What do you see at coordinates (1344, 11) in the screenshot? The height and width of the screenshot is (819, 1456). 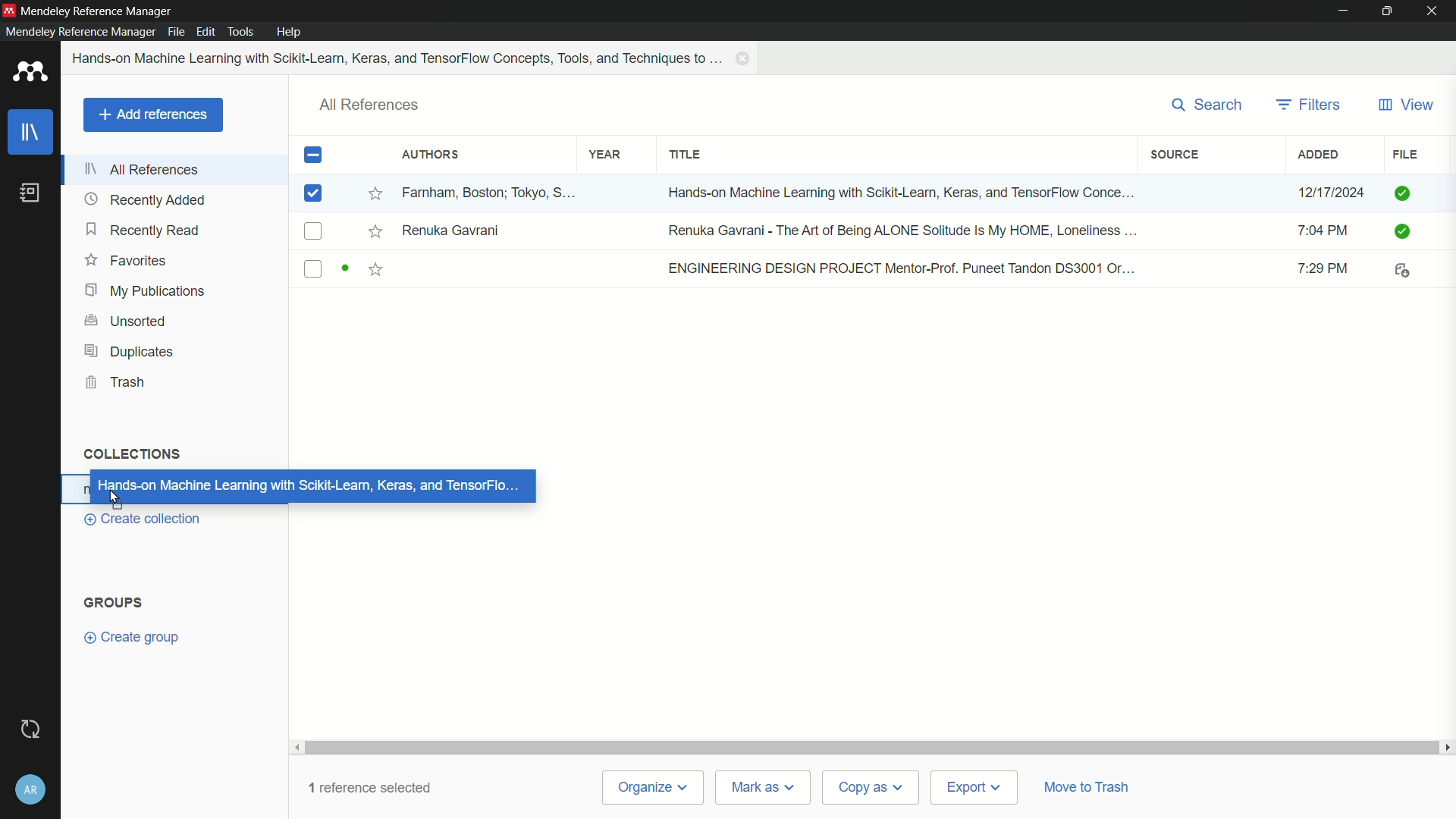 I see `minimize` at bounding box center [1344, 11].